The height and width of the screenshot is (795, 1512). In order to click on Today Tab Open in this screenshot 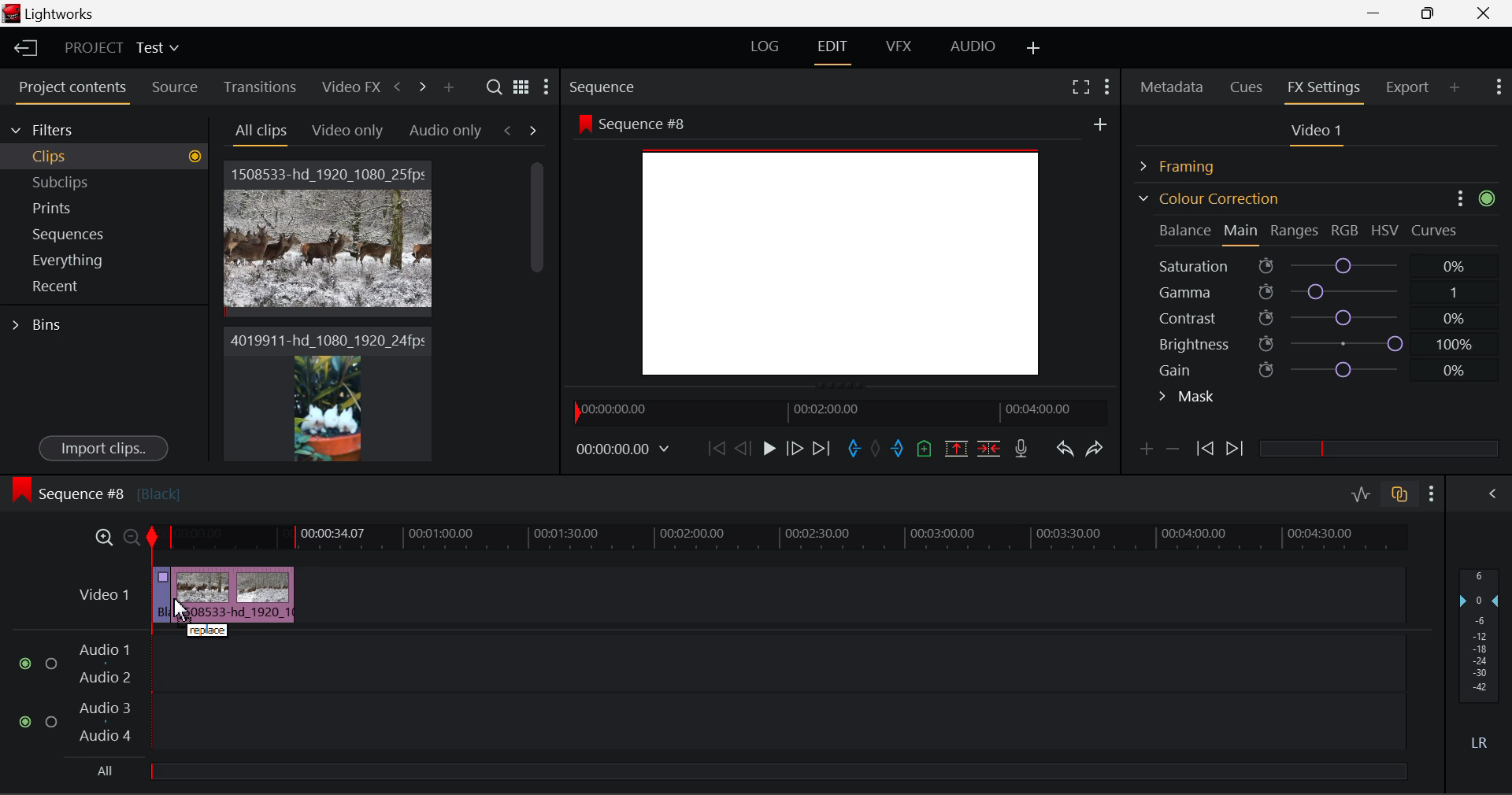, I will do `click(261, 131)`.